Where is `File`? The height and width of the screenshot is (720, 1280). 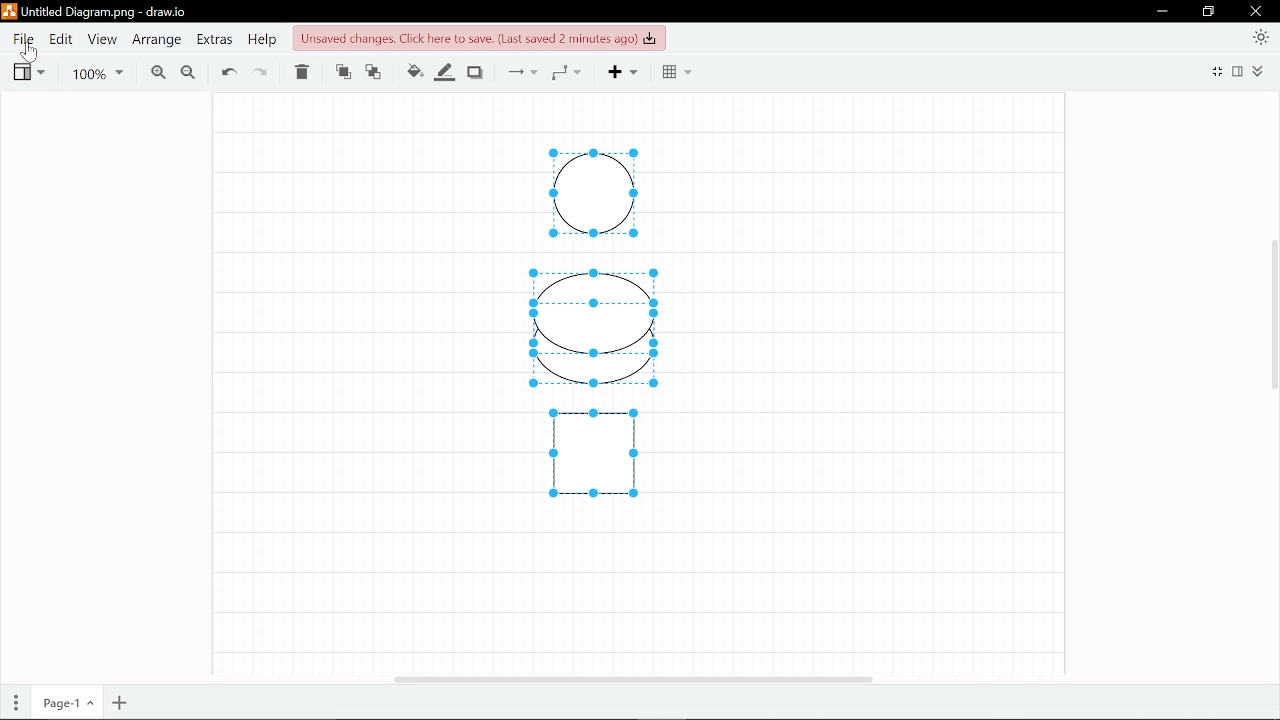
File is located at coordinates (24, 39).